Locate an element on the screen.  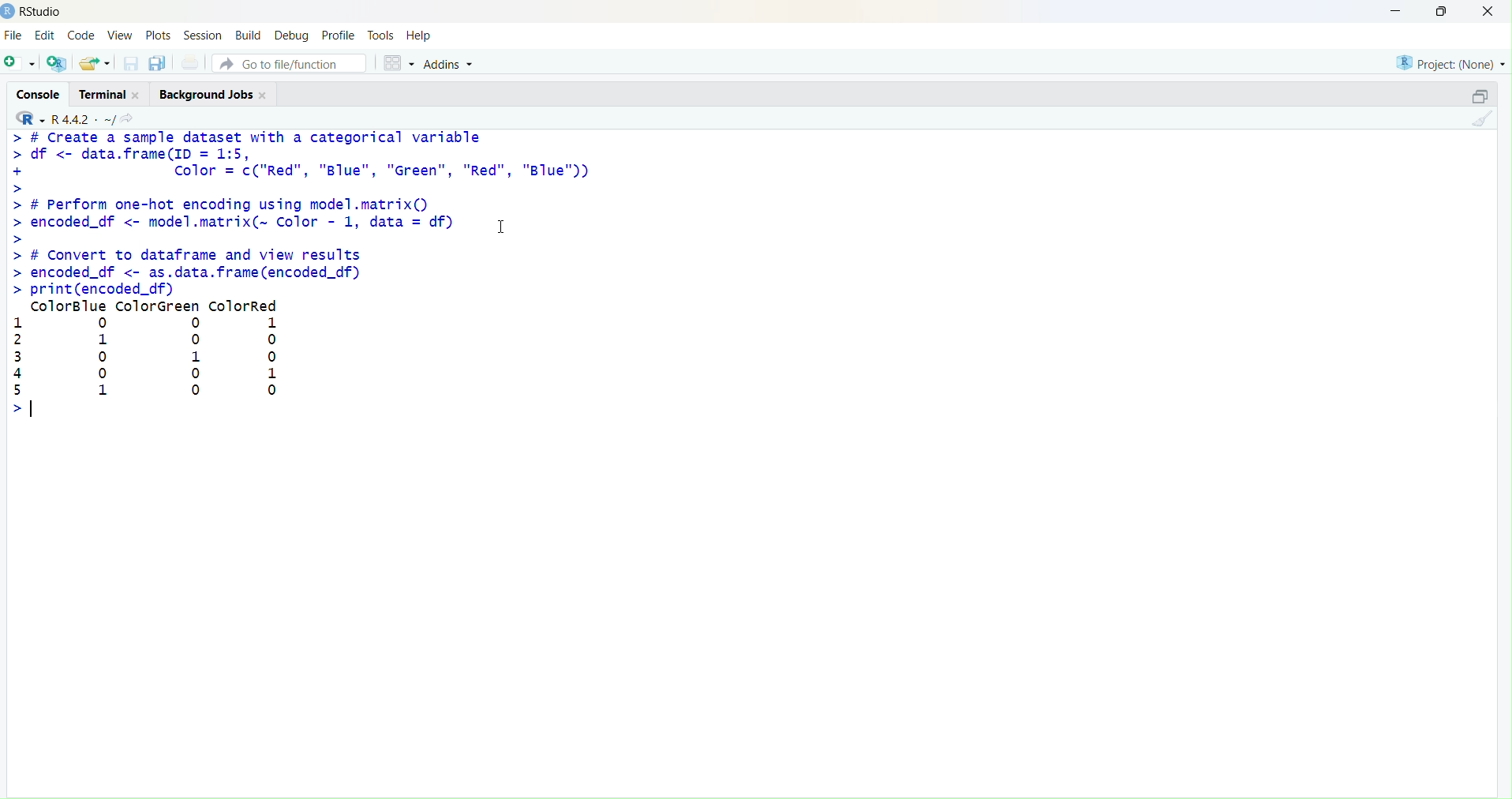
R is located at coordinates (31, 118).